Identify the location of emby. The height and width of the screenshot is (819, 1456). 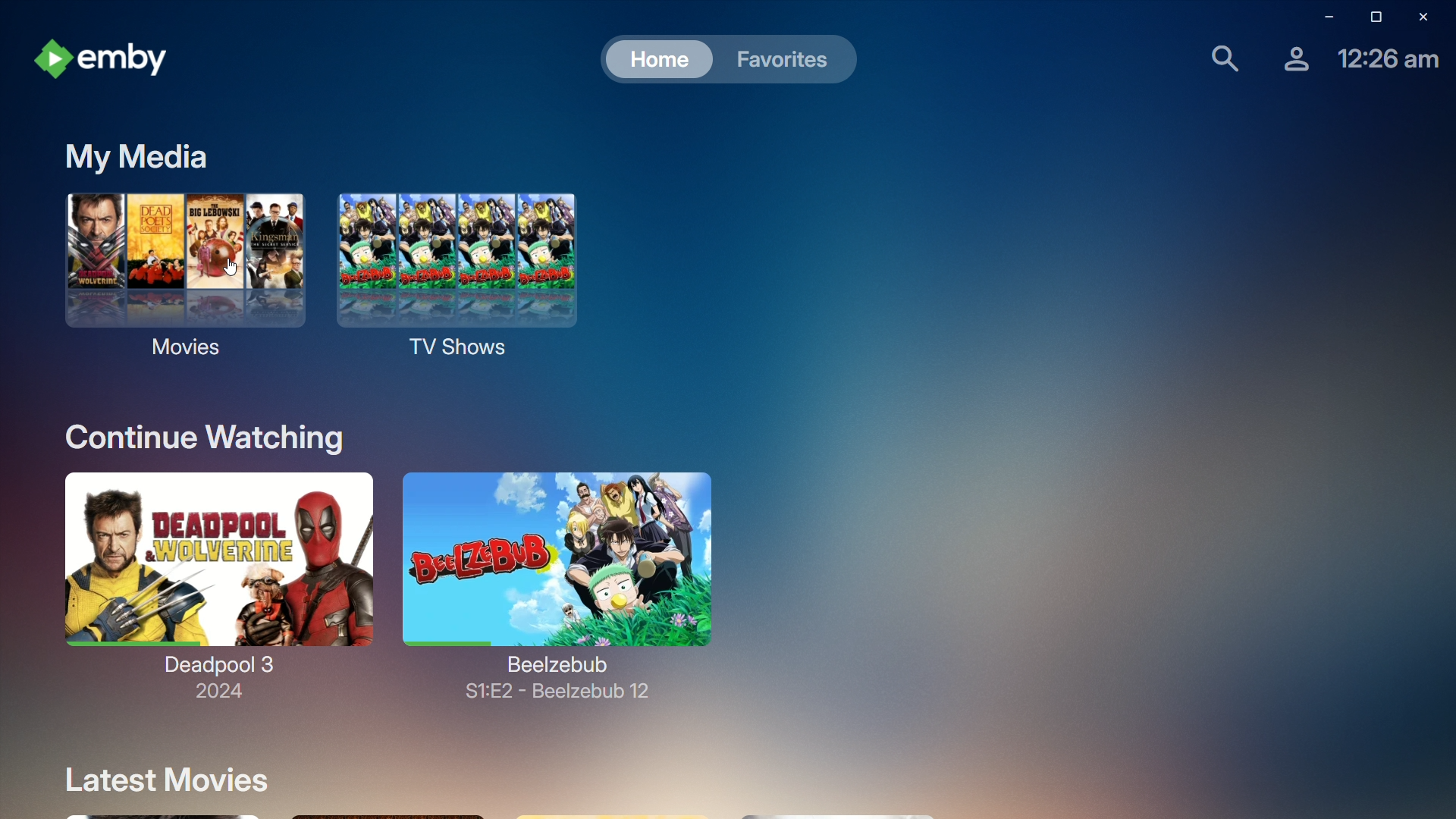
(108, 54).